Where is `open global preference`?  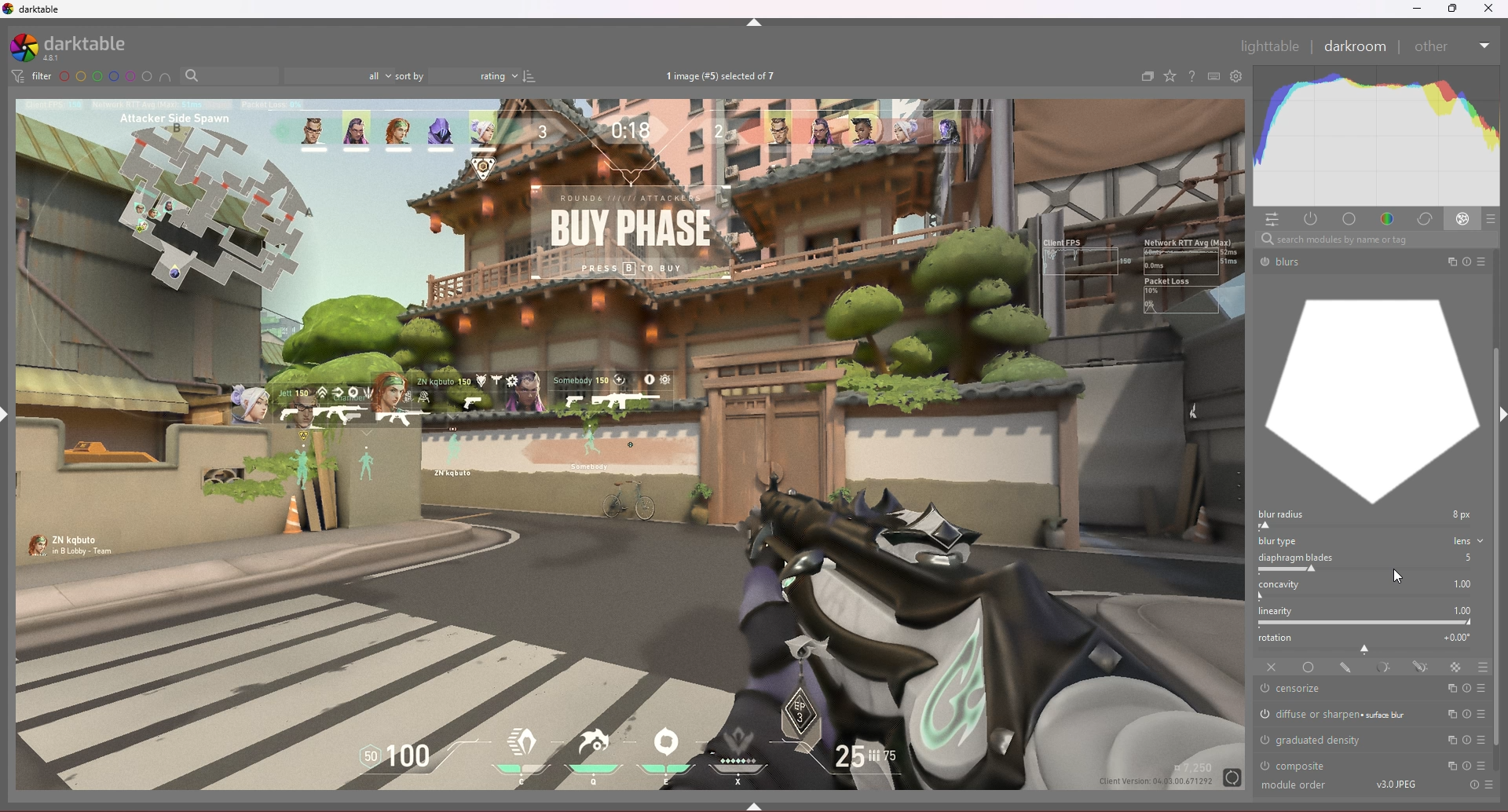
open global preference is located at coordinates (1237, 77).